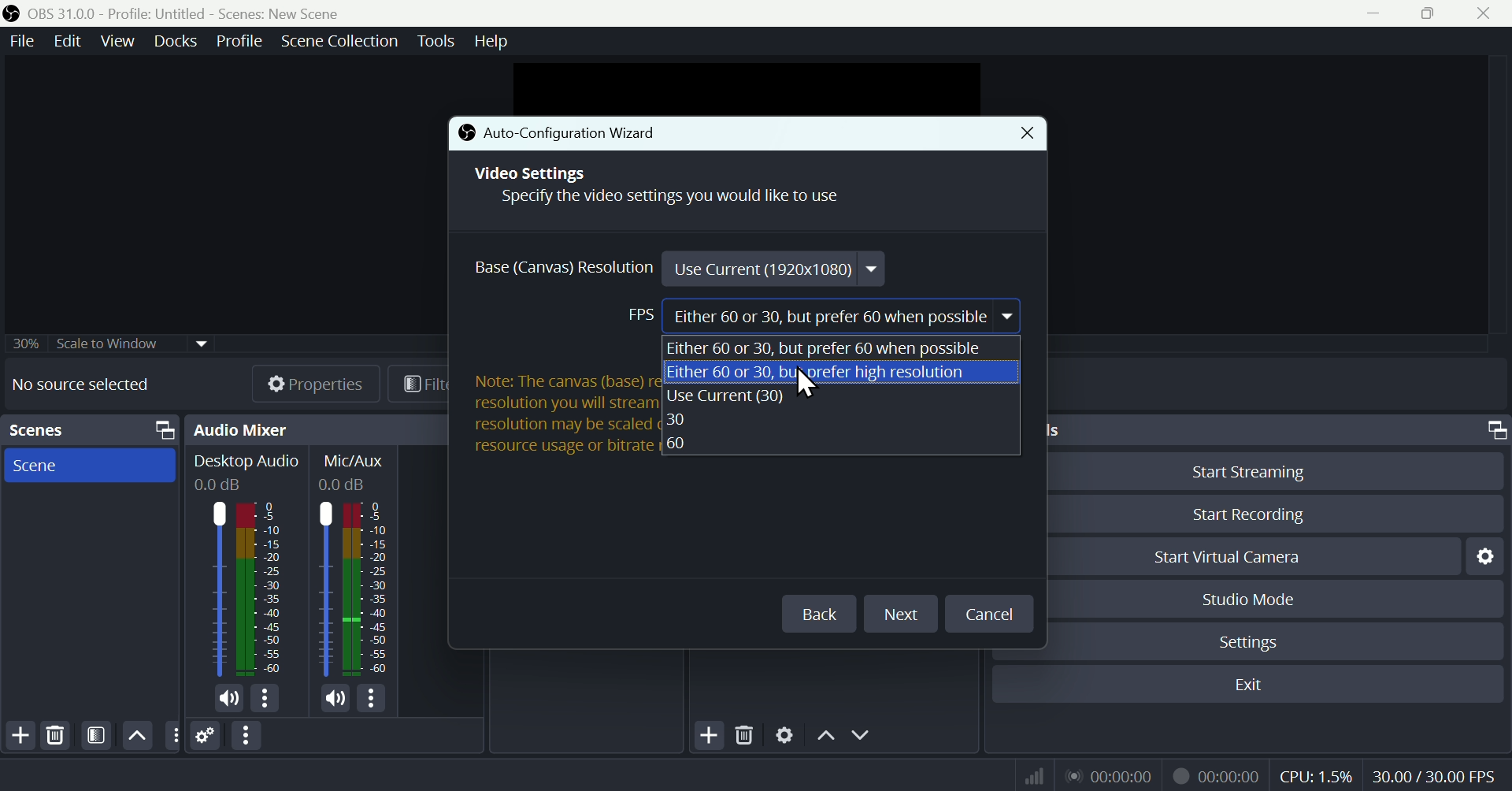 This screenshot has height=791, width=1512. What do you see at coordinates (1247, 685) in the screenshot?
I see `Exit` at bounding box center [1247, 685].